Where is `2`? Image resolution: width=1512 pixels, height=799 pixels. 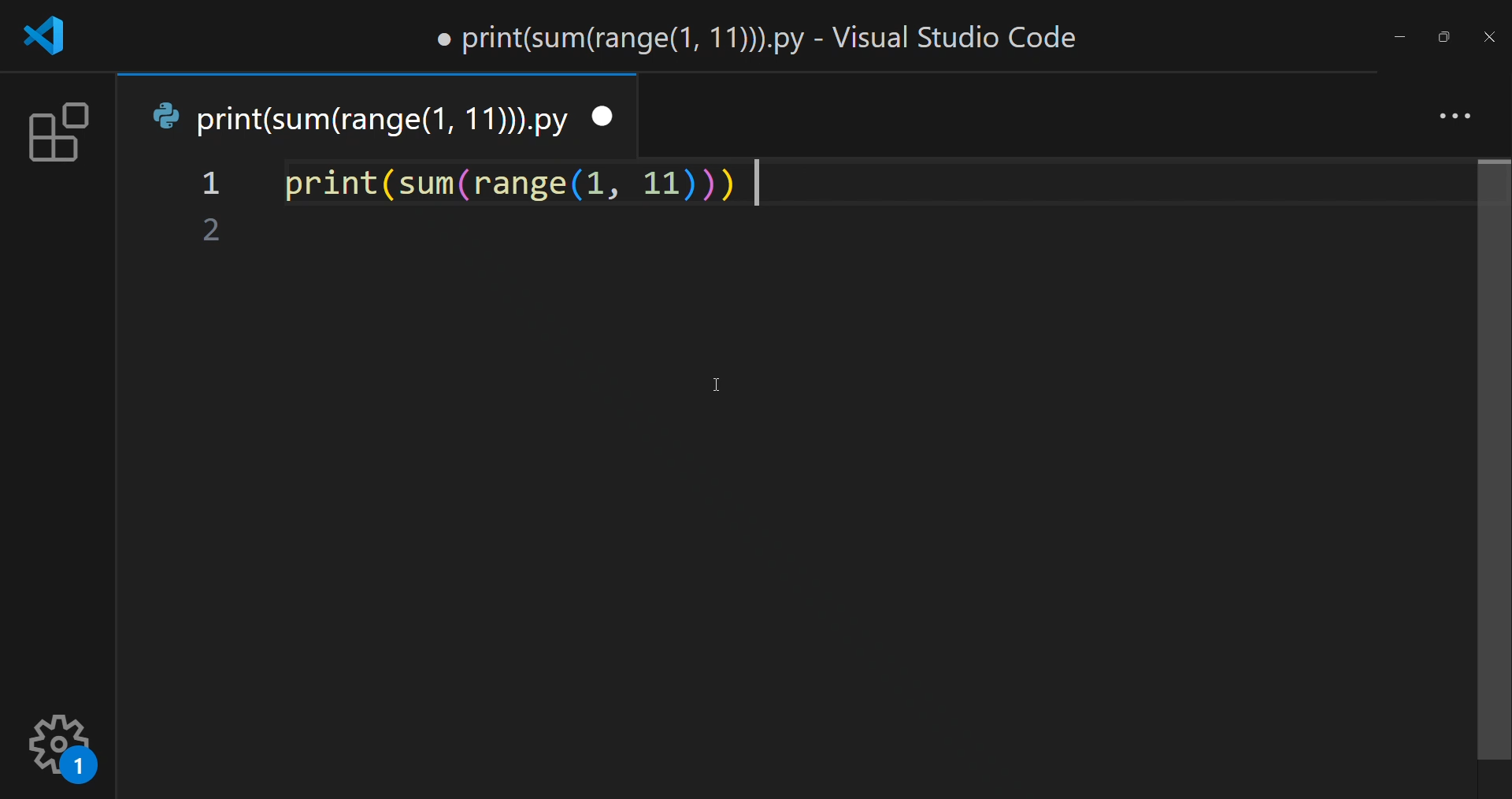 2 is located at coordinates (212, 232).